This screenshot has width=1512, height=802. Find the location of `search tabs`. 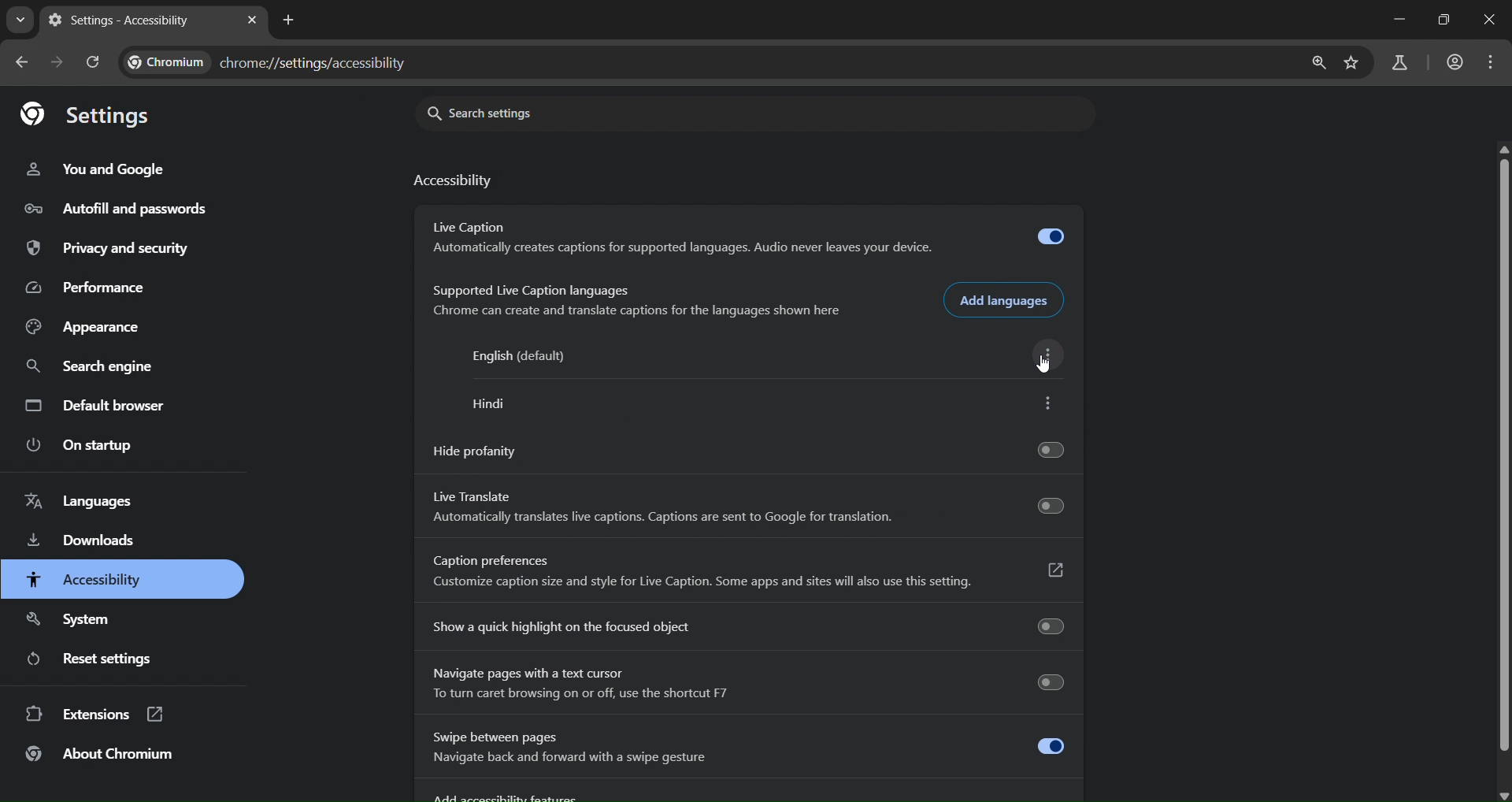

search tabs is located at coordinates (19, 20).